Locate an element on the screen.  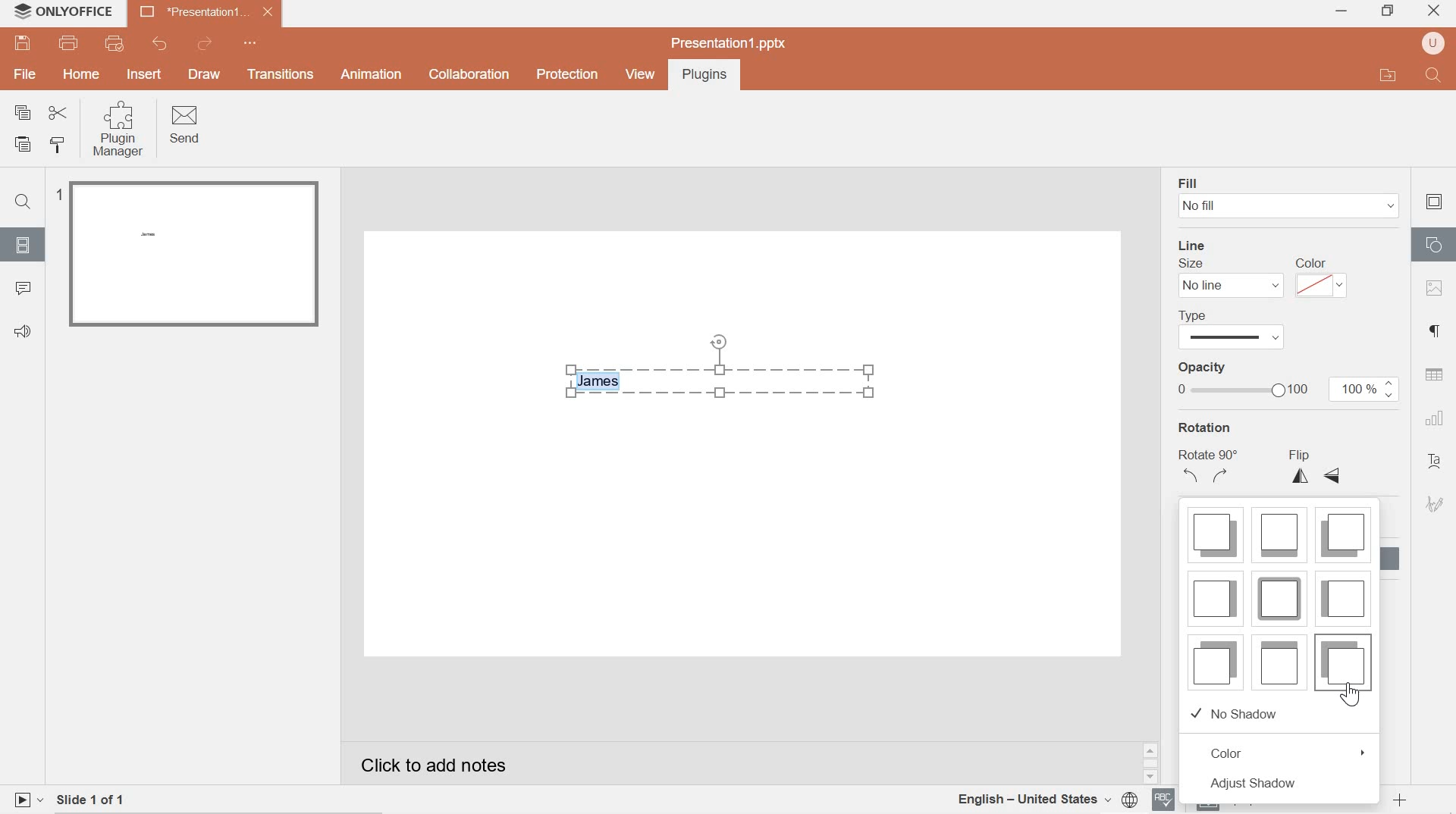
Rotate 90 degrees is located at coordinates (1209, 471).